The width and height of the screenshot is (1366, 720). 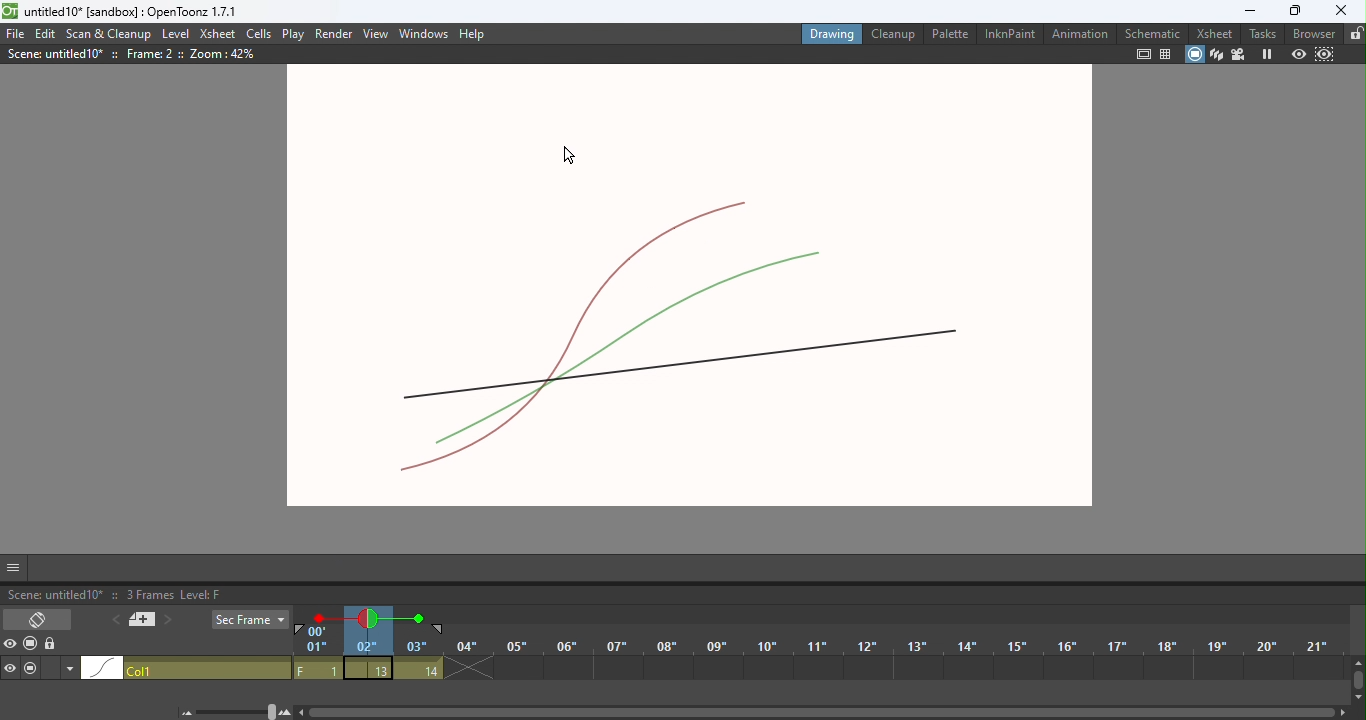 What do you see at coordinates (573, 156) in the screenshot?
I see `Cursor` at bounding box center [573, 156].